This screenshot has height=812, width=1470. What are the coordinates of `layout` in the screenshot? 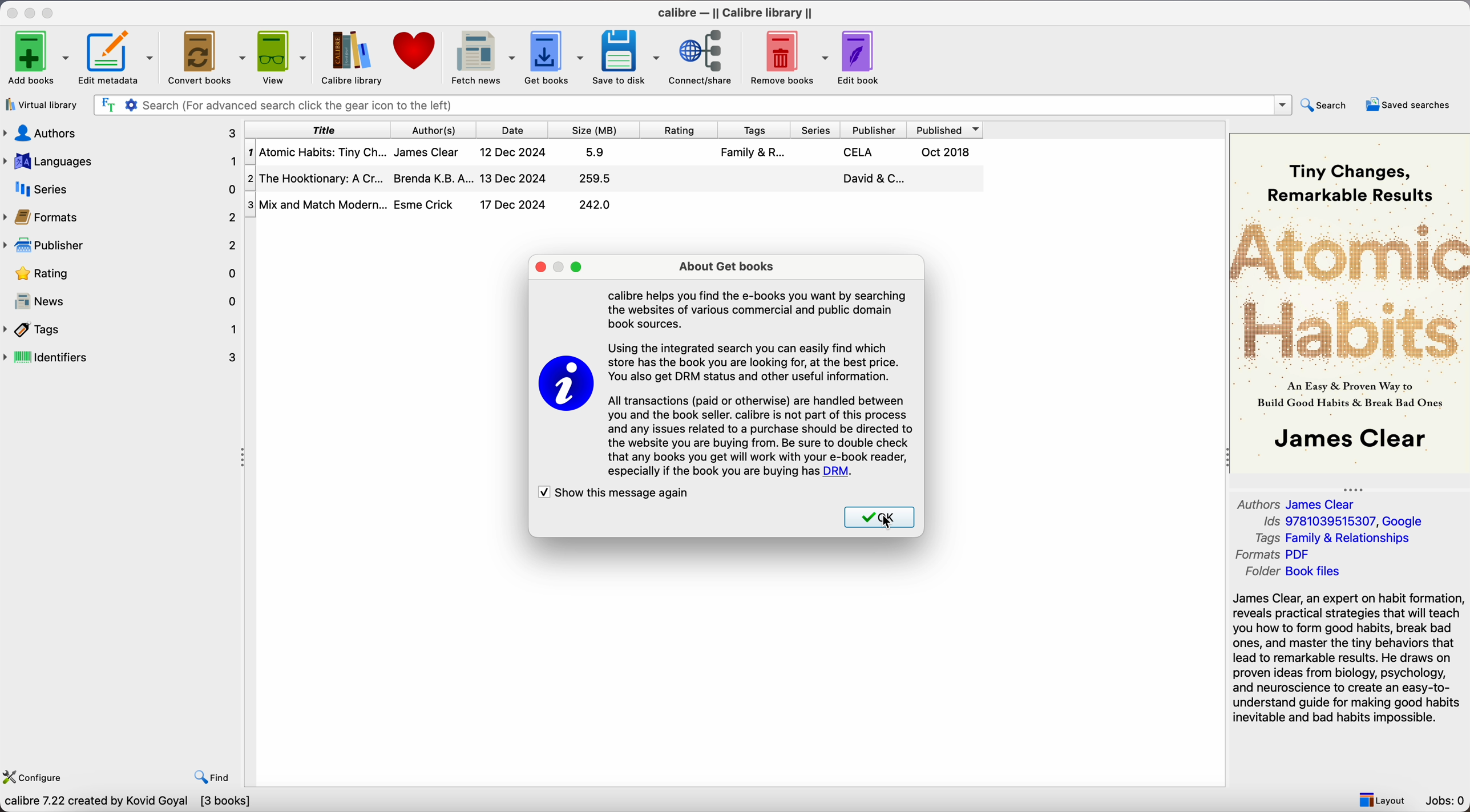 It's located at (1382, 800).